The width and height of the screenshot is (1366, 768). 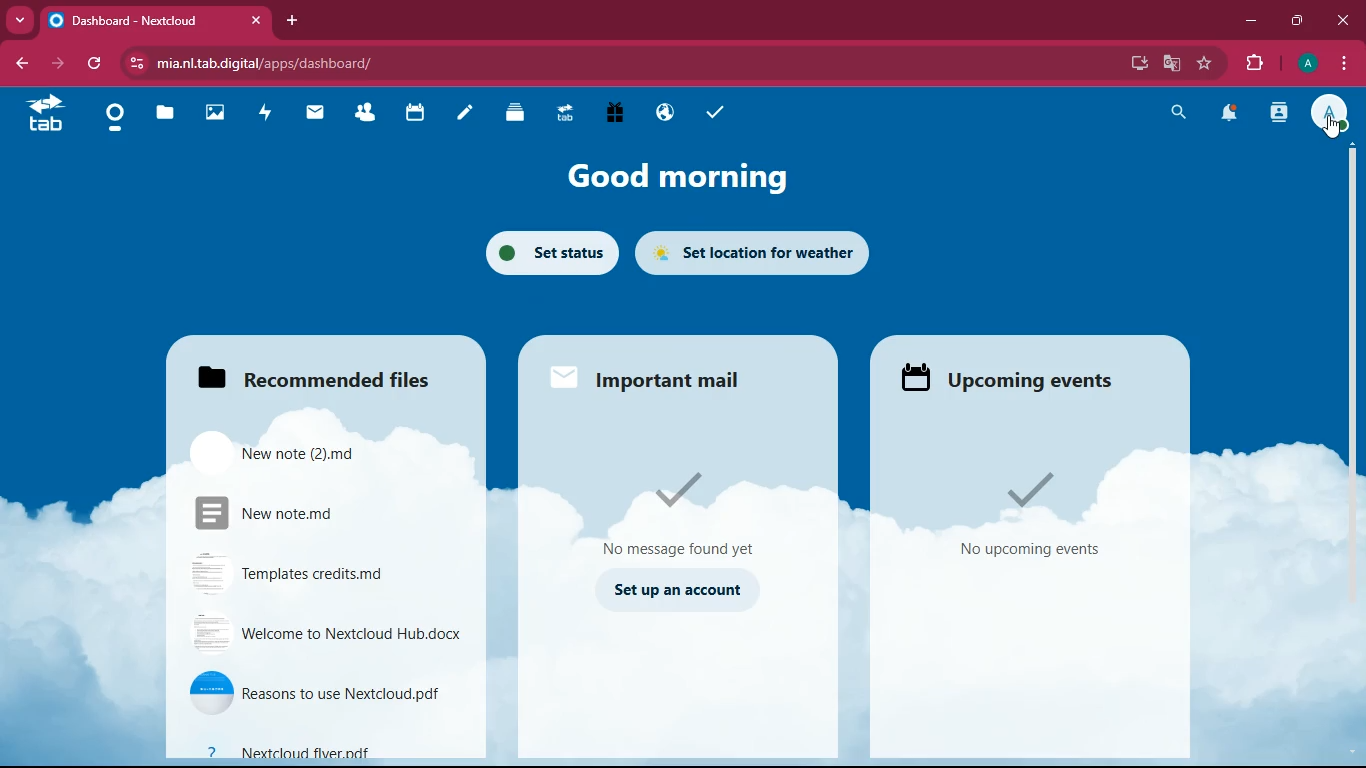 I want to click on good morning, so click(x=671, y=179).